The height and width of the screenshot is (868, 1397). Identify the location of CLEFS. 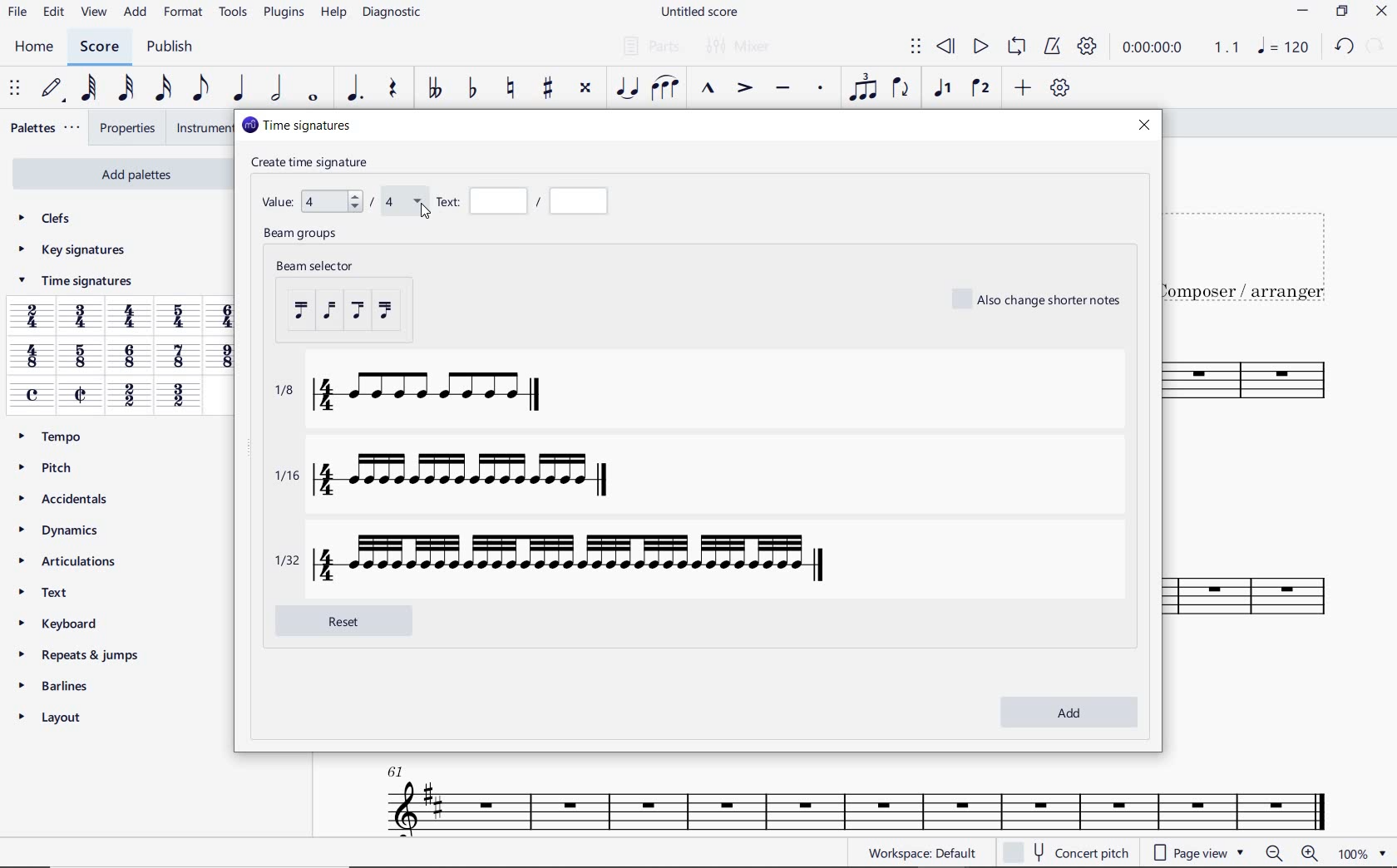
(47, 220).